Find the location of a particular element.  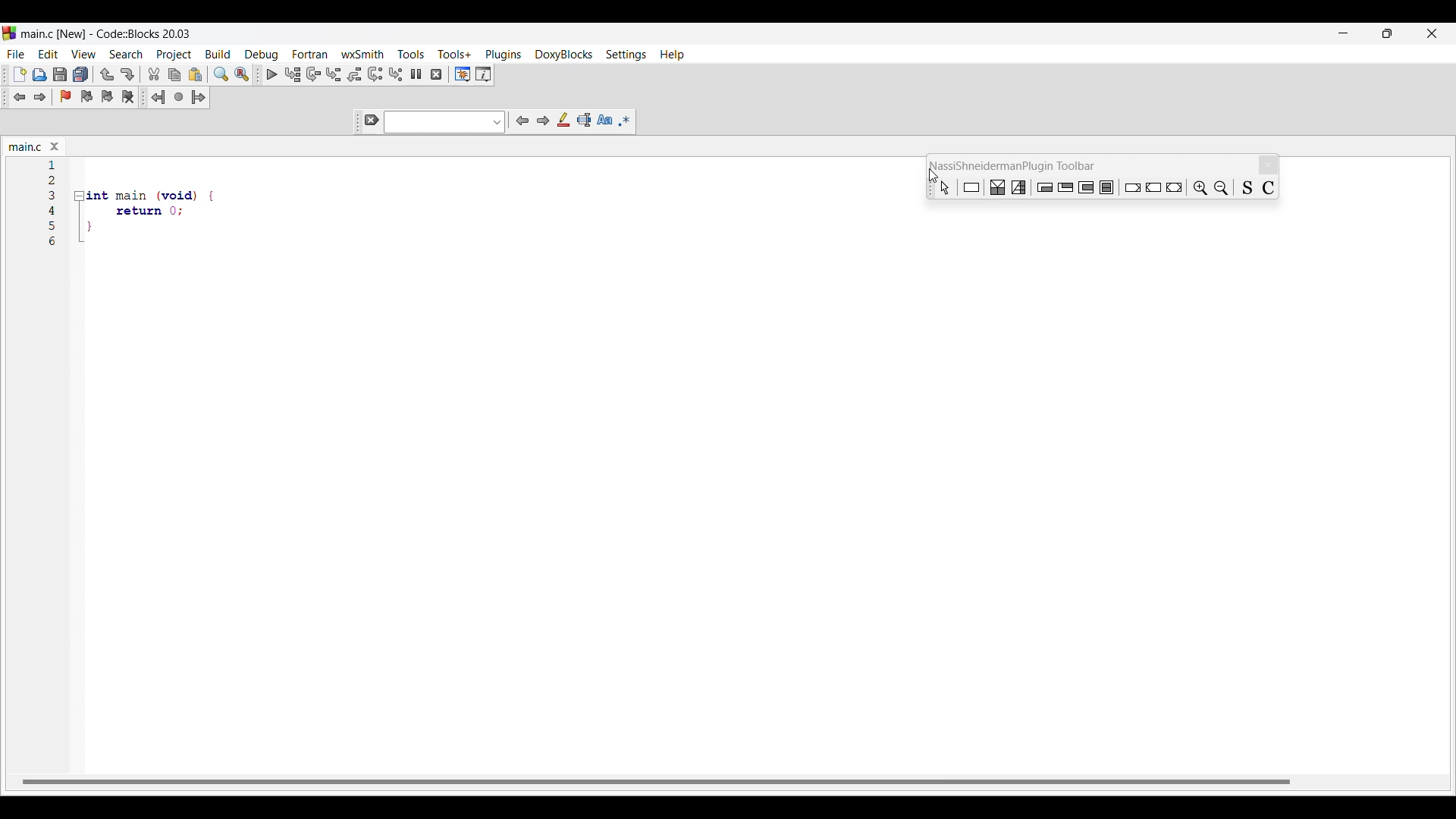

Tools+ menu is located at coordinates (454, 54).